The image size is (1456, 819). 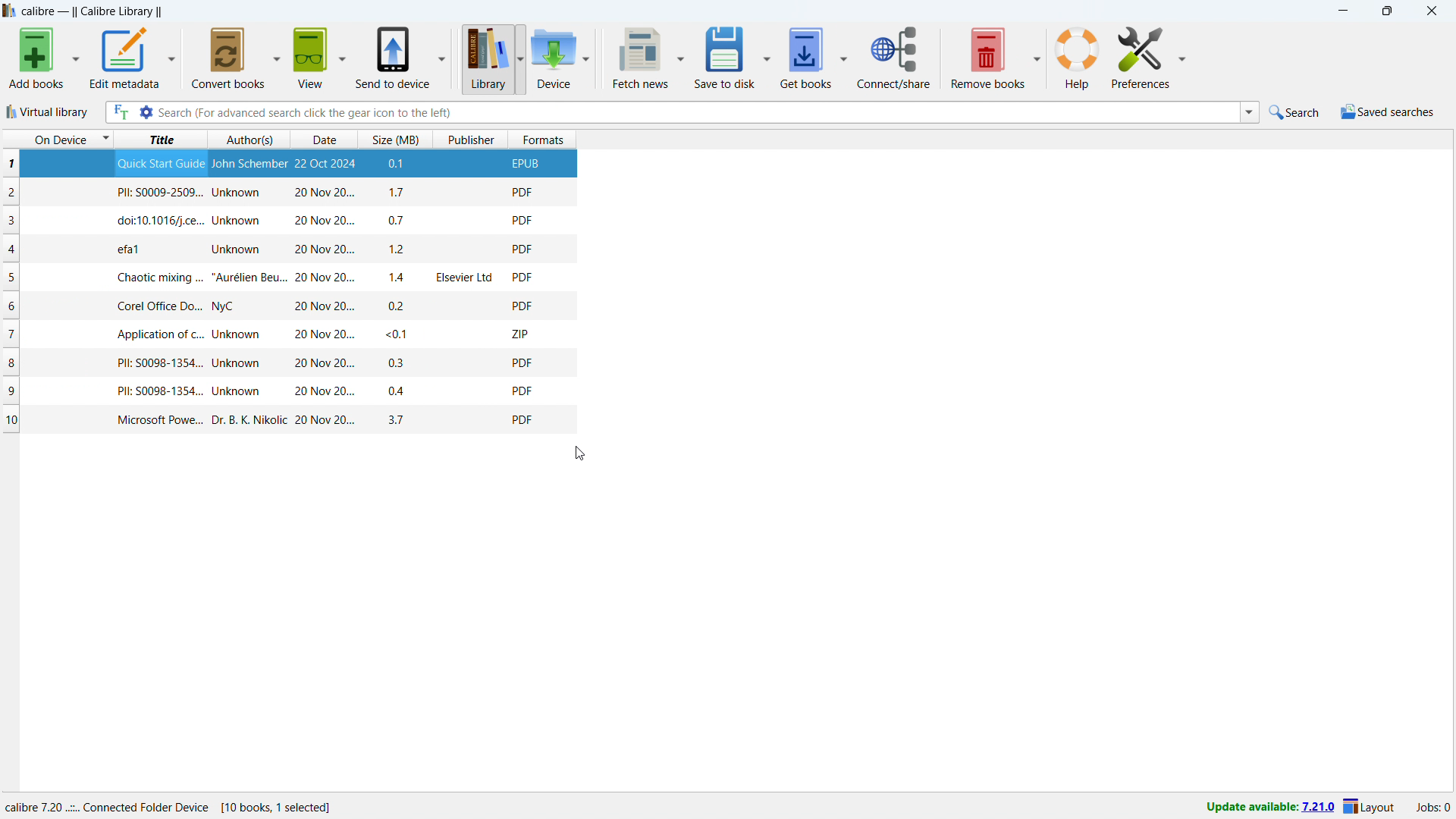 What do you see at coordinates (553, 57) in the screenshot?
I see `device` at bounding box center [553, 57].